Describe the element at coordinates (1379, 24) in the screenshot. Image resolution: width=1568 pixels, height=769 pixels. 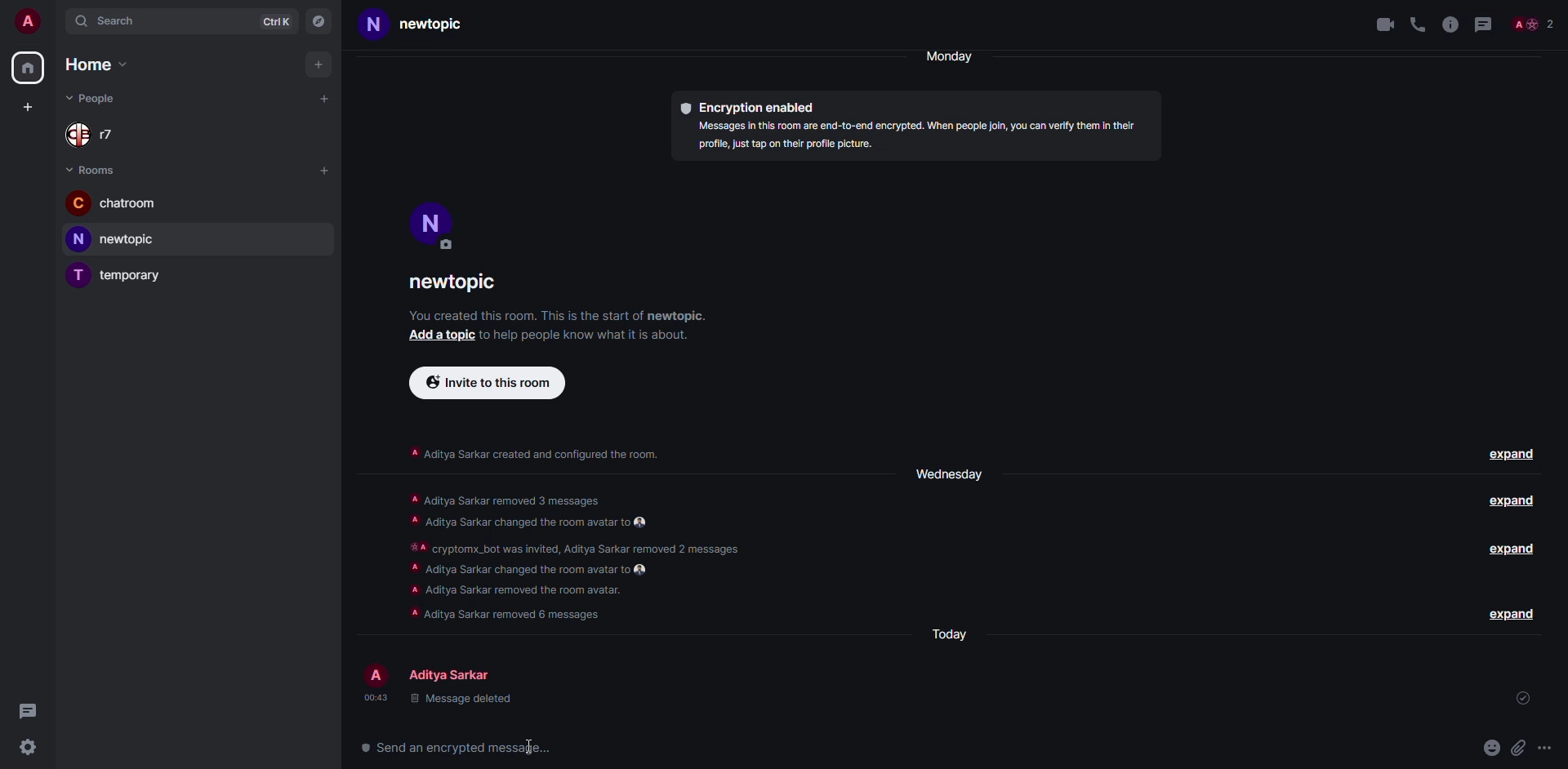
I see `video` at that location.